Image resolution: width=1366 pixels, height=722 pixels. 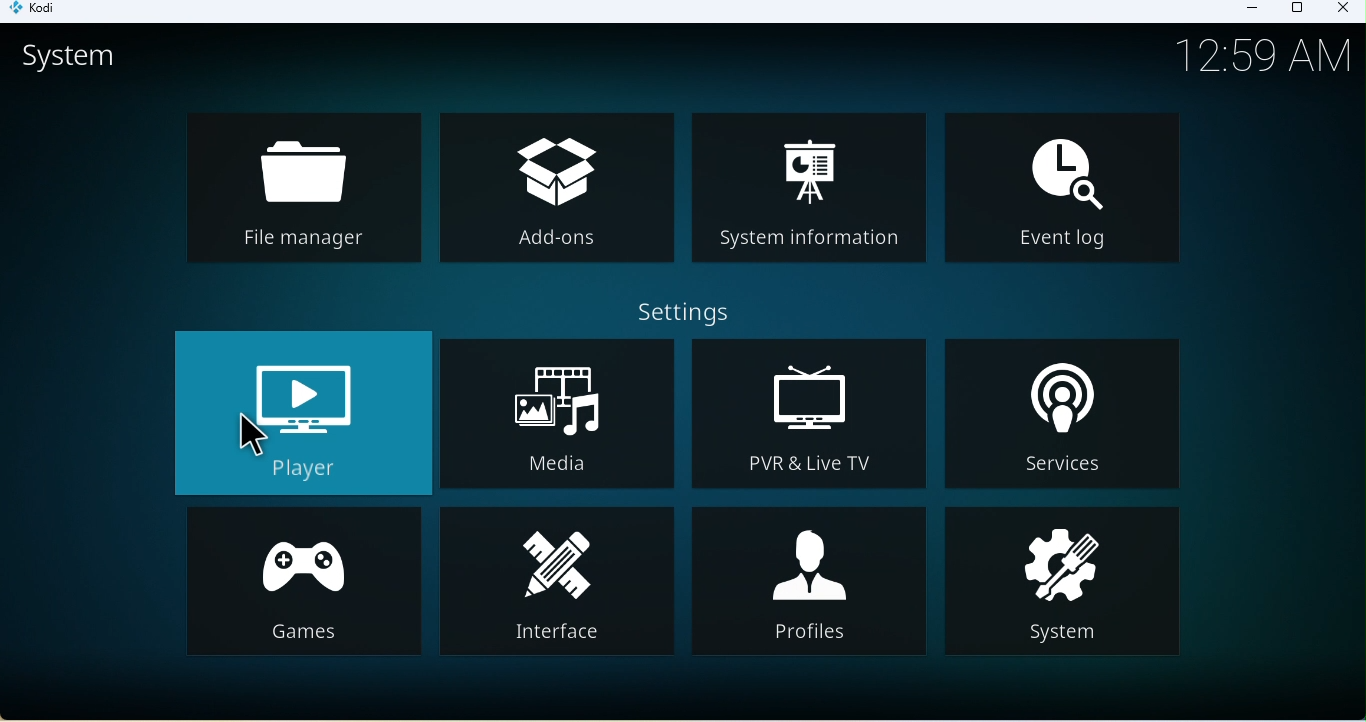 What do you see at coordinates (91, 60) in the screenshot?
I see `System` at bounding box center [91, 60].